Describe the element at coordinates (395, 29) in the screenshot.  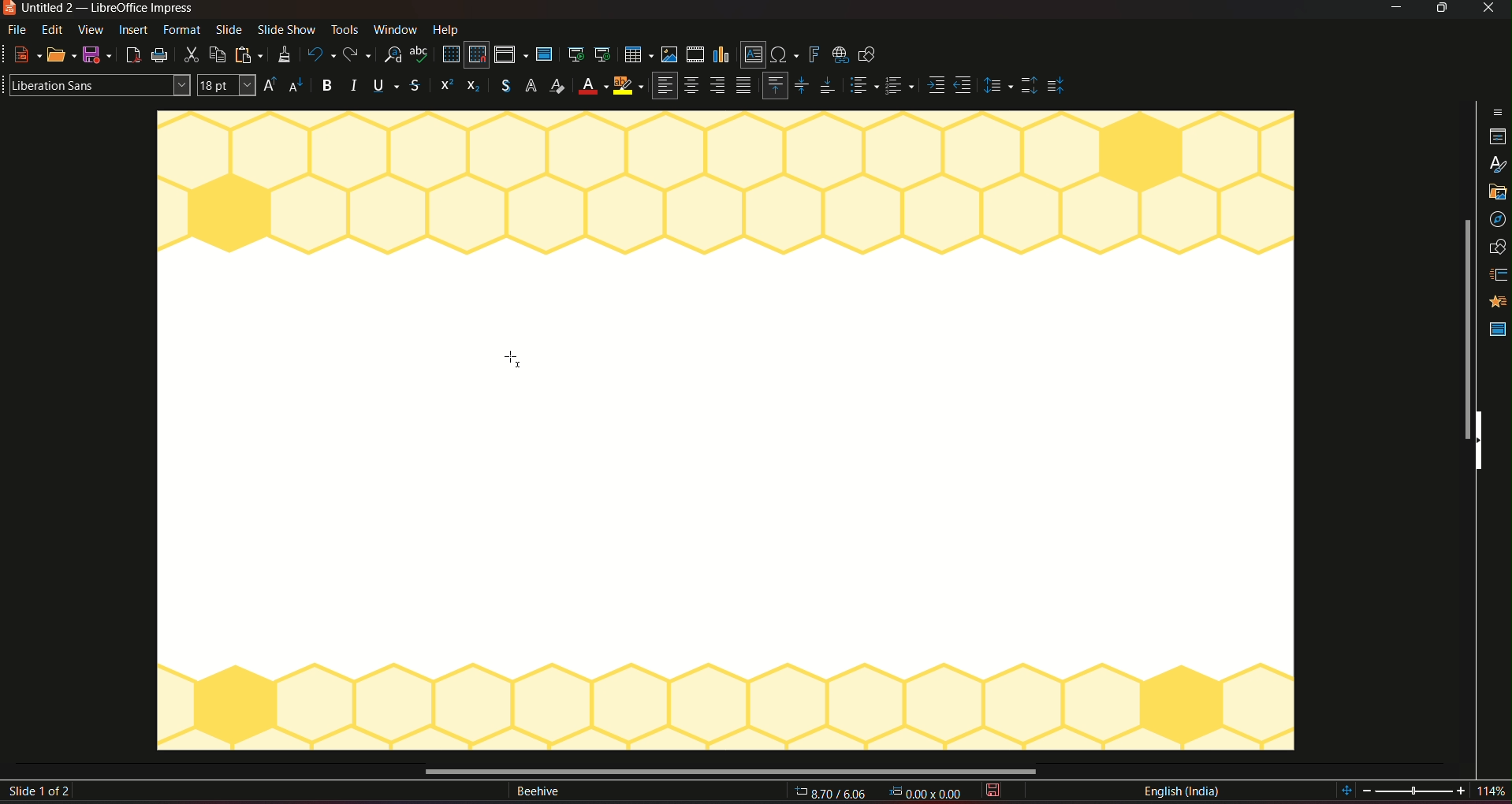
I see `window` at that location.